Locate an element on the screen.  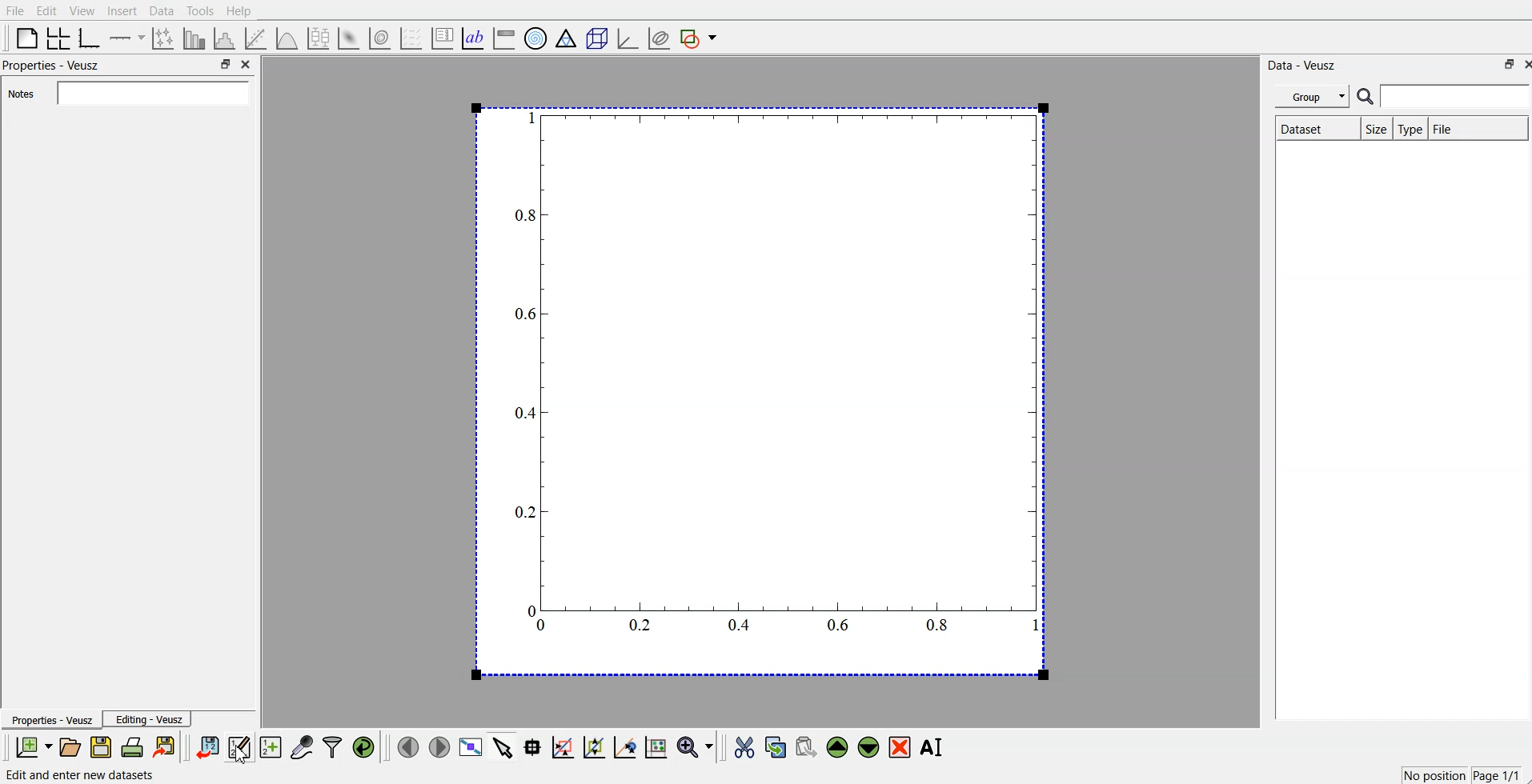
plot box plots is located at coordinates (321, 38).